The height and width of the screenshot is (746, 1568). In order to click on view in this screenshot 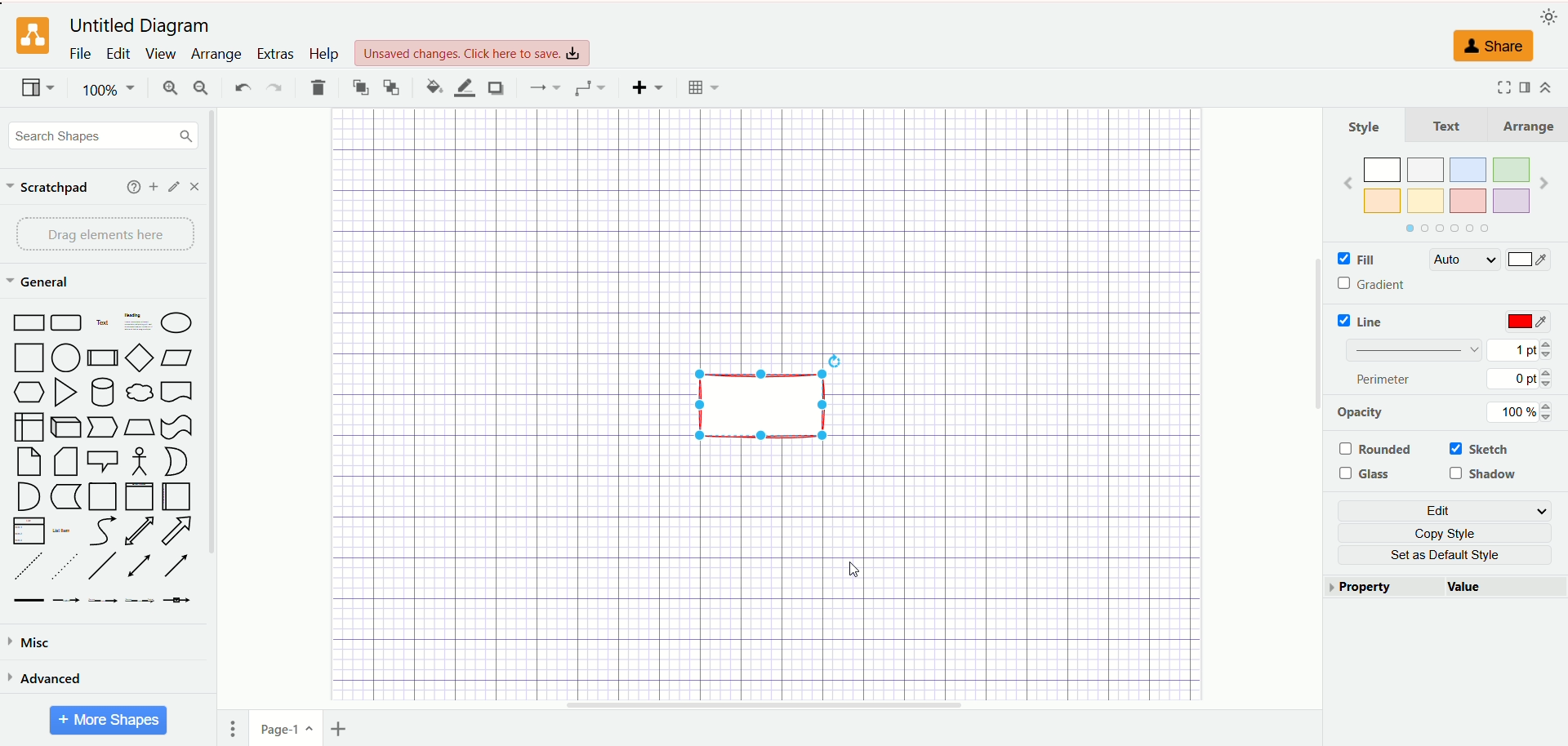, I will do `click(158, 55)`.